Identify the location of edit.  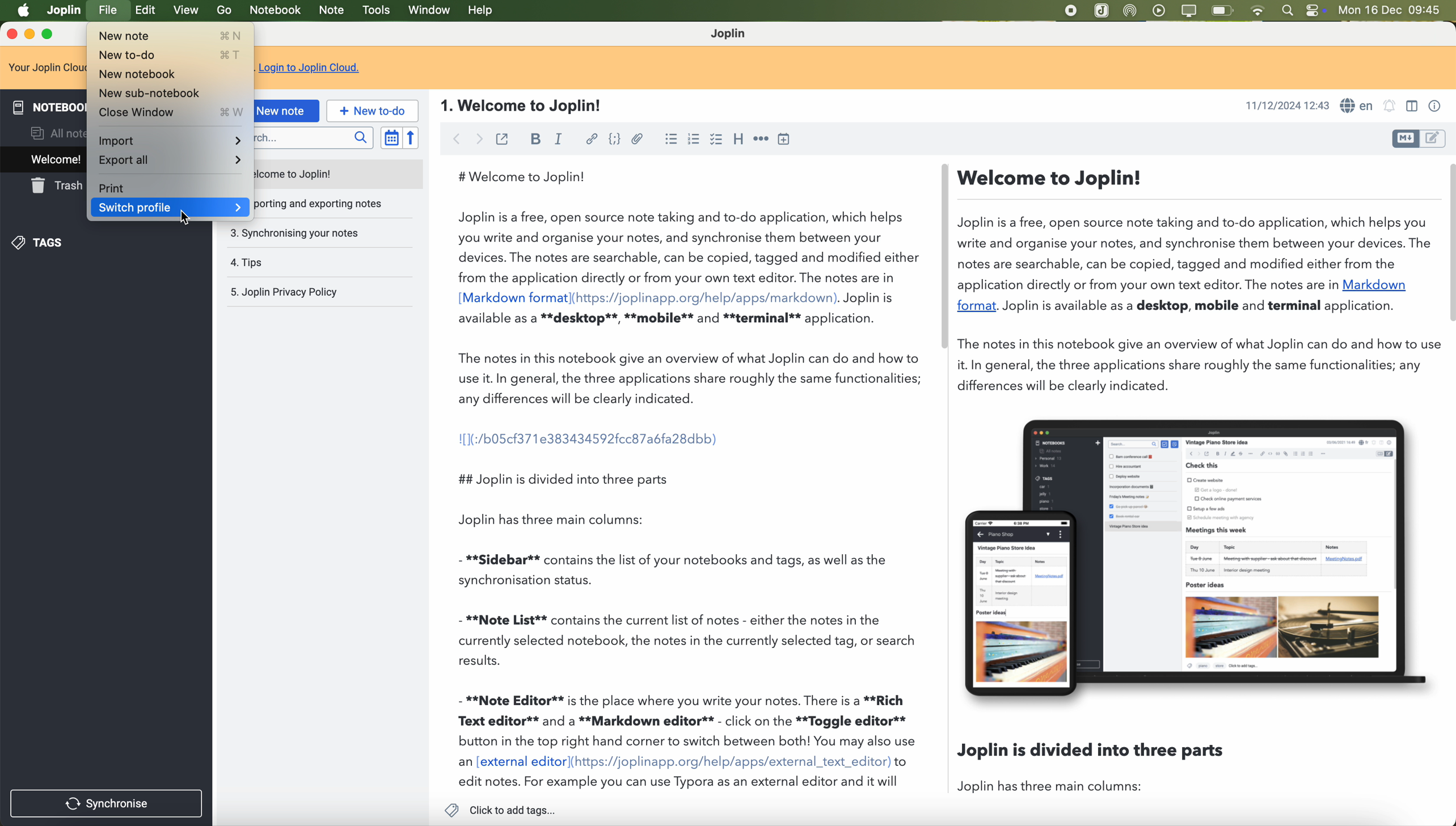
(147, 11).